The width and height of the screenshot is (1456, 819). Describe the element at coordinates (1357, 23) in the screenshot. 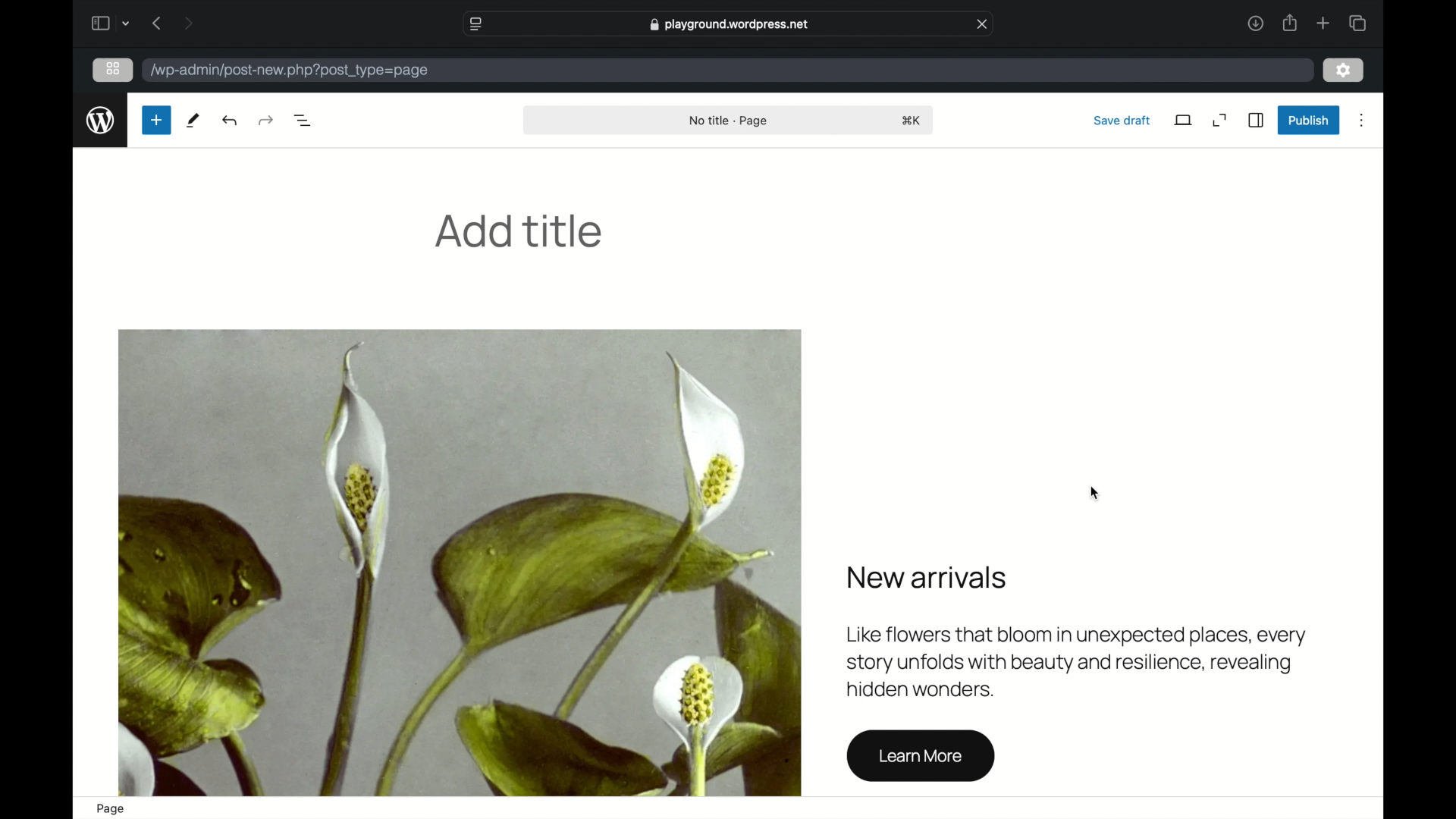

I see `show tab overview` at that location.